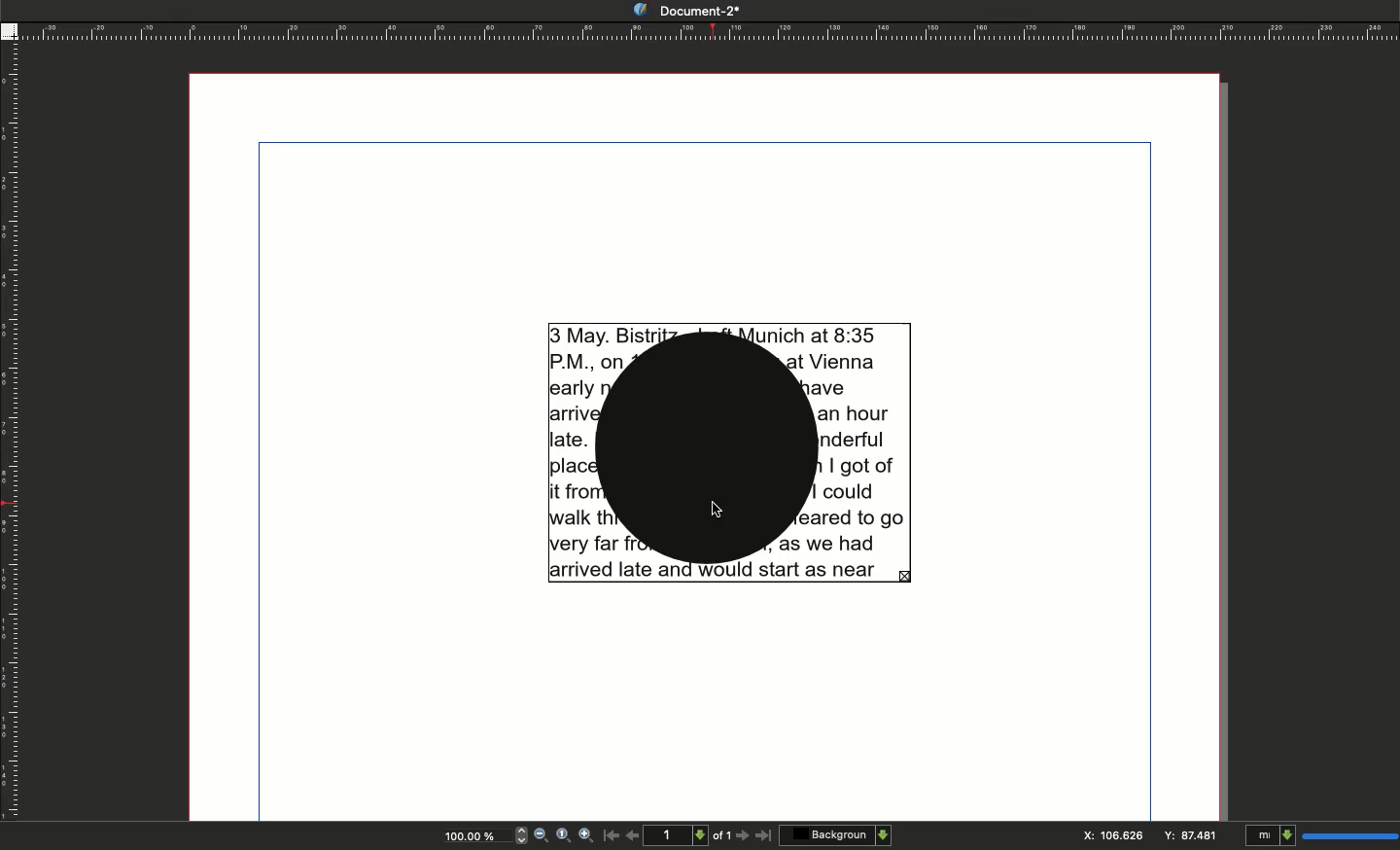  What do you see at coordinates (542, 834) in the screenshot?
I see `Zoom out` at bounding box center [542, 834].